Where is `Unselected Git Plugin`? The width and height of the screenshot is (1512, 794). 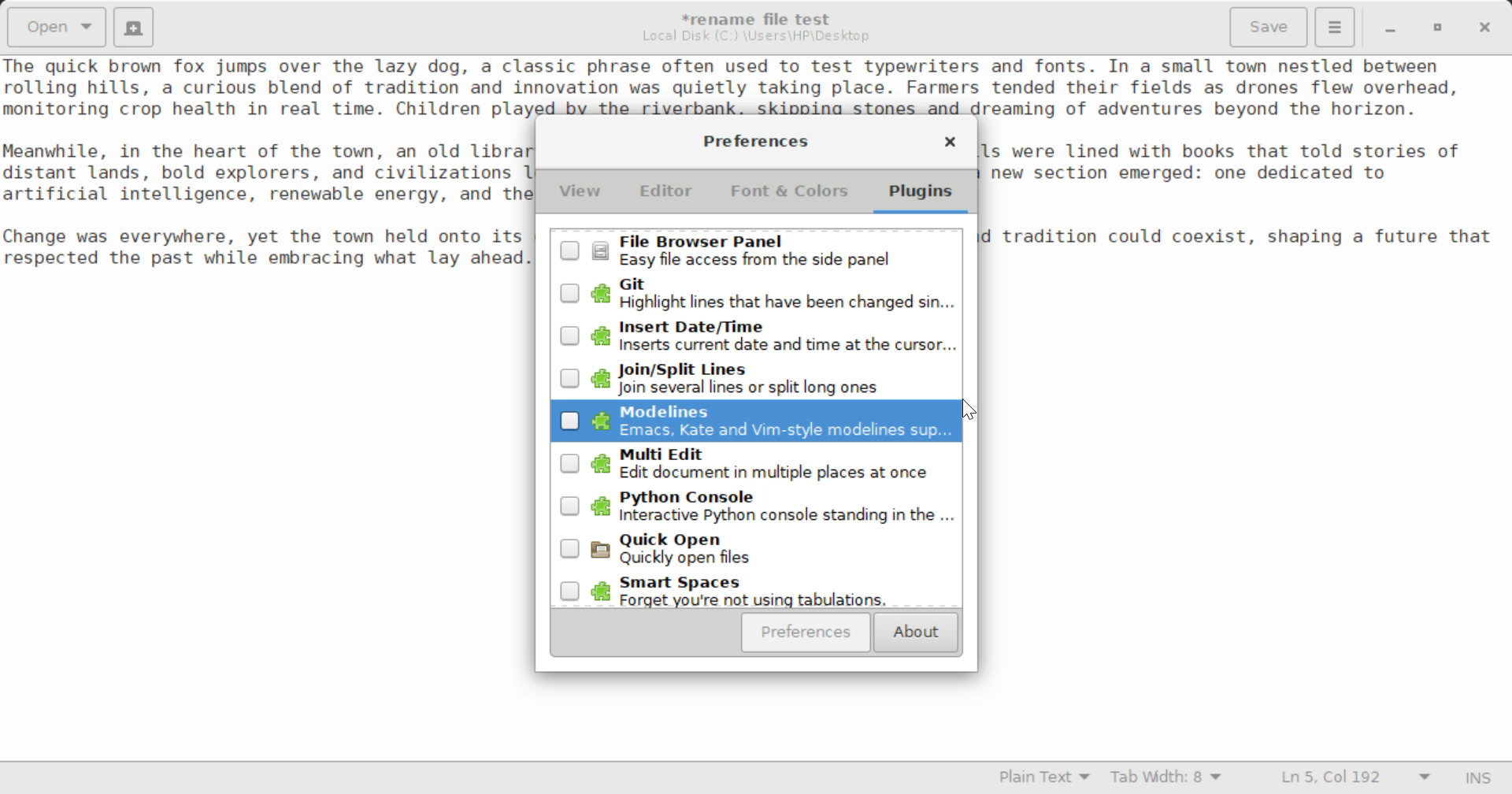
Unselected Git Plugin is located at coordinates (760, 293).